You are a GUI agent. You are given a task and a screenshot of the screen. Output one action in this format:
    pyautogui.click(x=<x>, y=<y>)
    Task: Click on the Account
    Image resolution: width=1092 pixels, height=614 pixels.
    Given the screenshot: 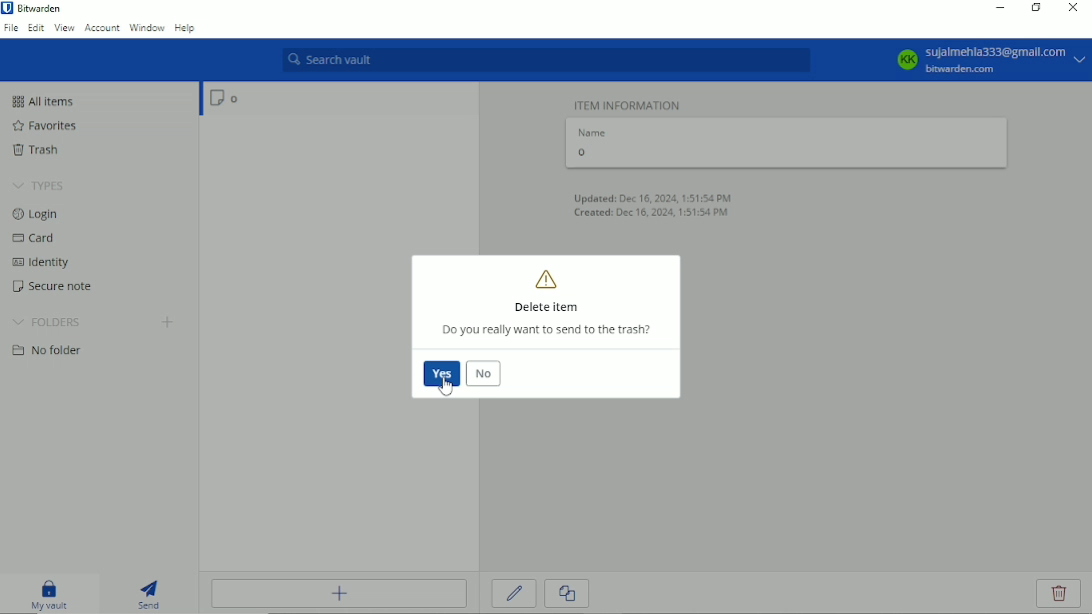 What is the action you would take?
    pyautogui.click(x=101, y=29)
    